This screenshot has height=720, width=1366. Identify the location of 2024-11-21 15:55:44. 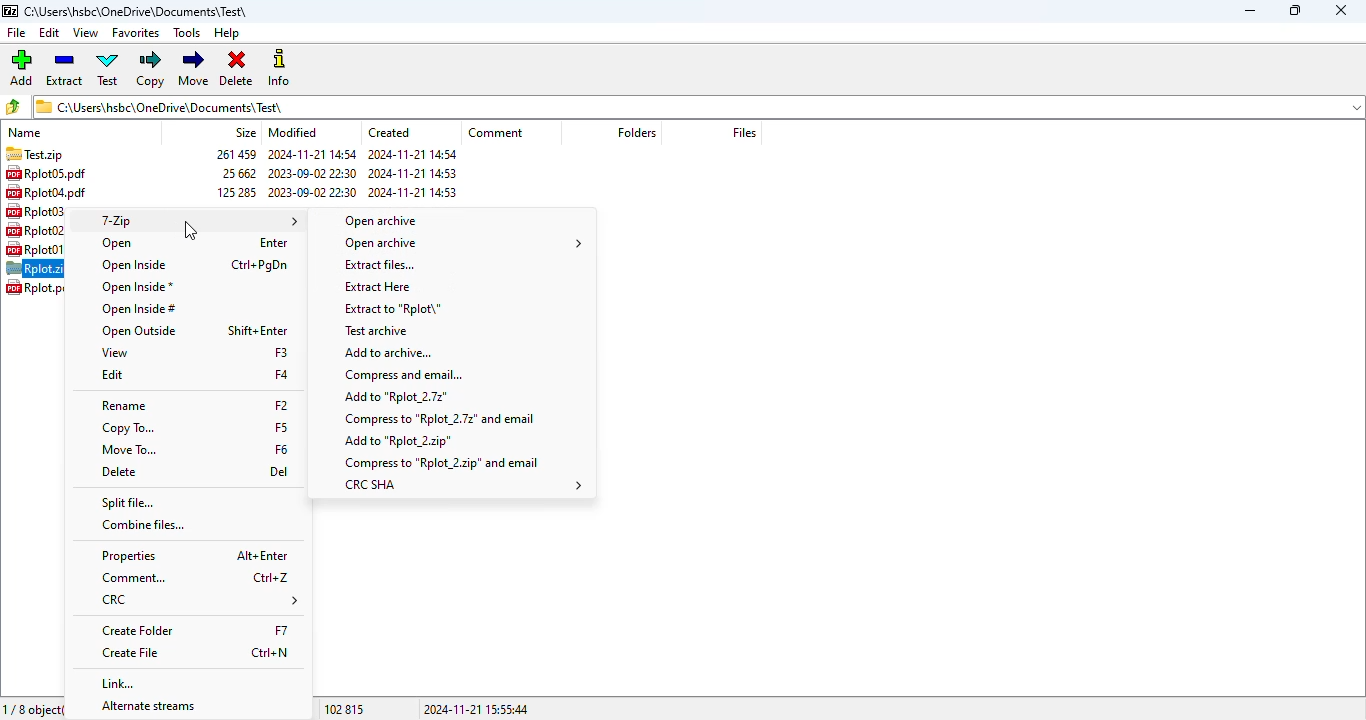
(477, 709).